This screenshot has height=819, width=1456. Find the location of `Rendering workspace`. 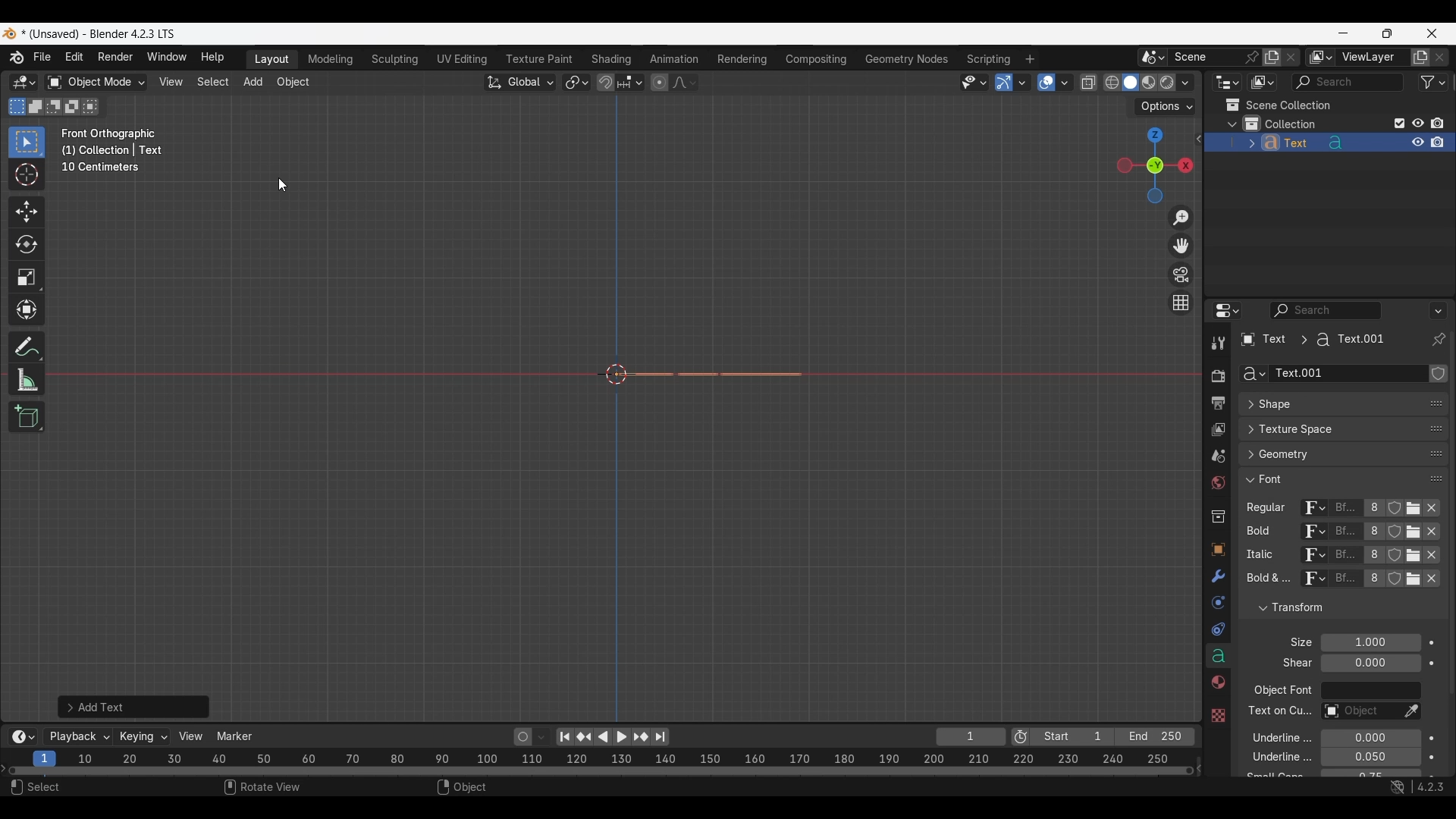

Rendering workspace is located at coordinates (742, 58).